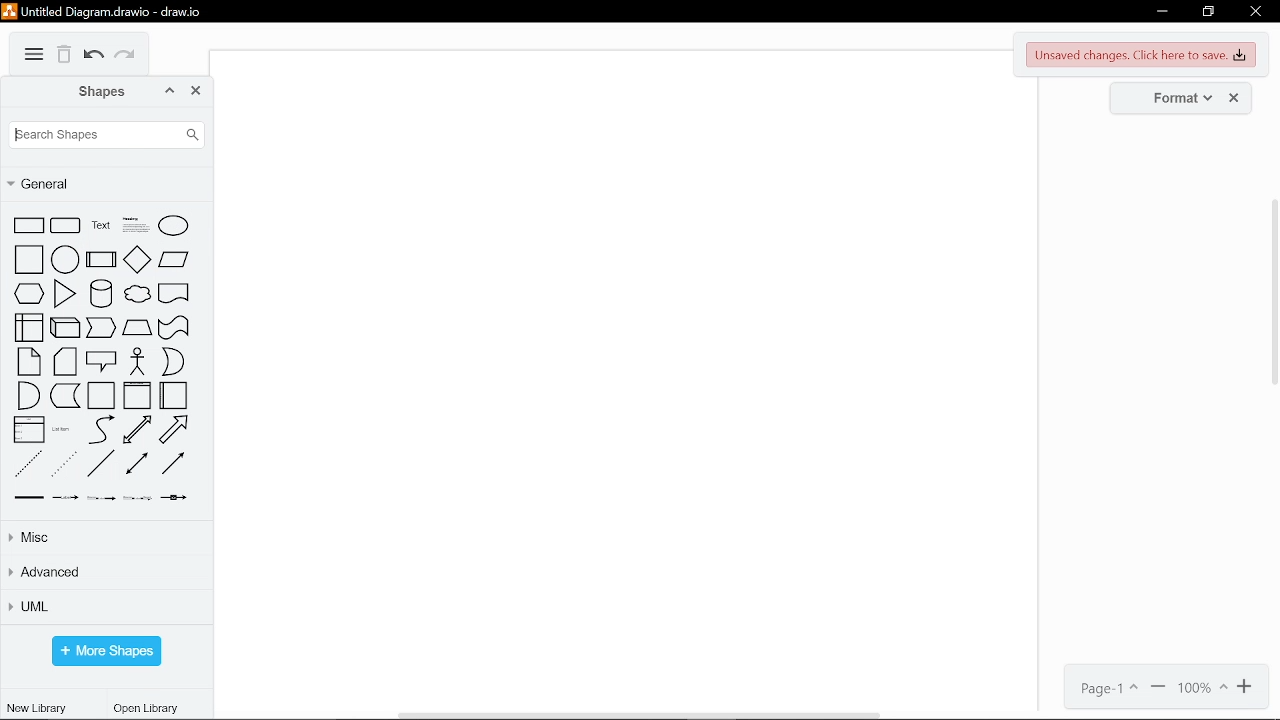 Image resolution: width=1280 pixels, height=720 pixels. I want to click on horizontal container, so click(174, 396).